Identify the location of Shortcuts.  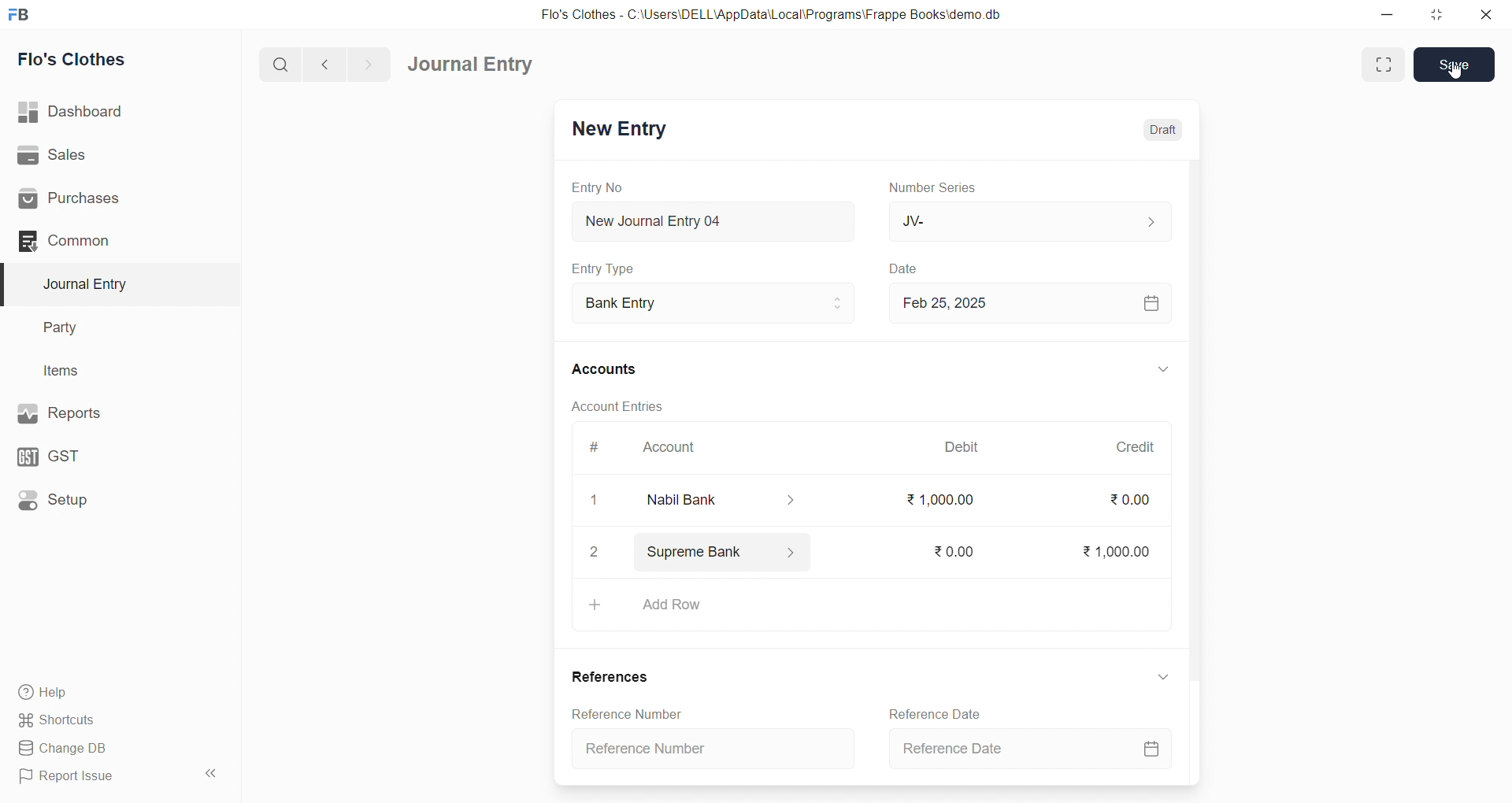
(115, 719).